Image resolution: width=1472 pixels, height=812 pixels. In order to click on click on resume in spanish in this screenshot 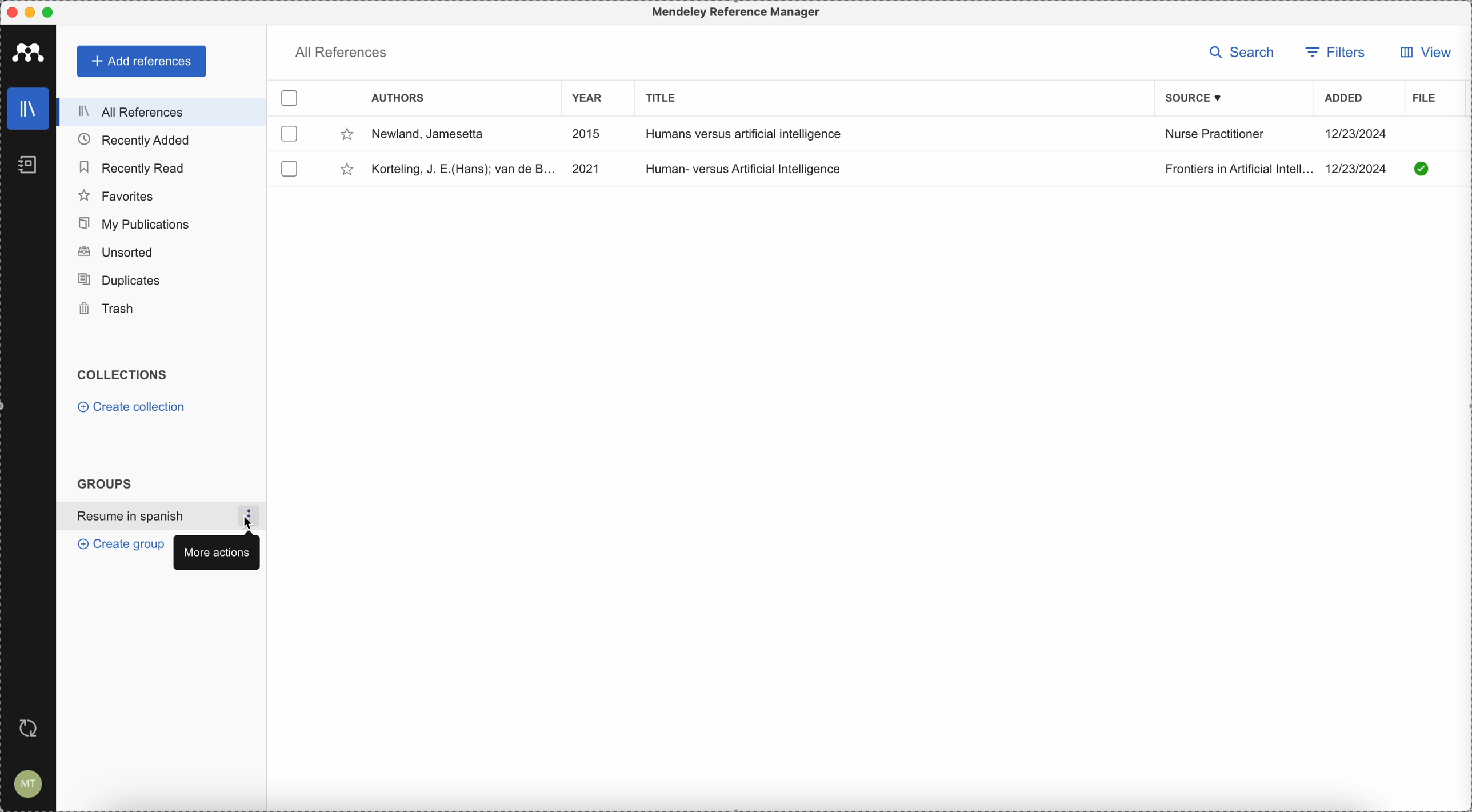, I will do `click(149, 517)`.